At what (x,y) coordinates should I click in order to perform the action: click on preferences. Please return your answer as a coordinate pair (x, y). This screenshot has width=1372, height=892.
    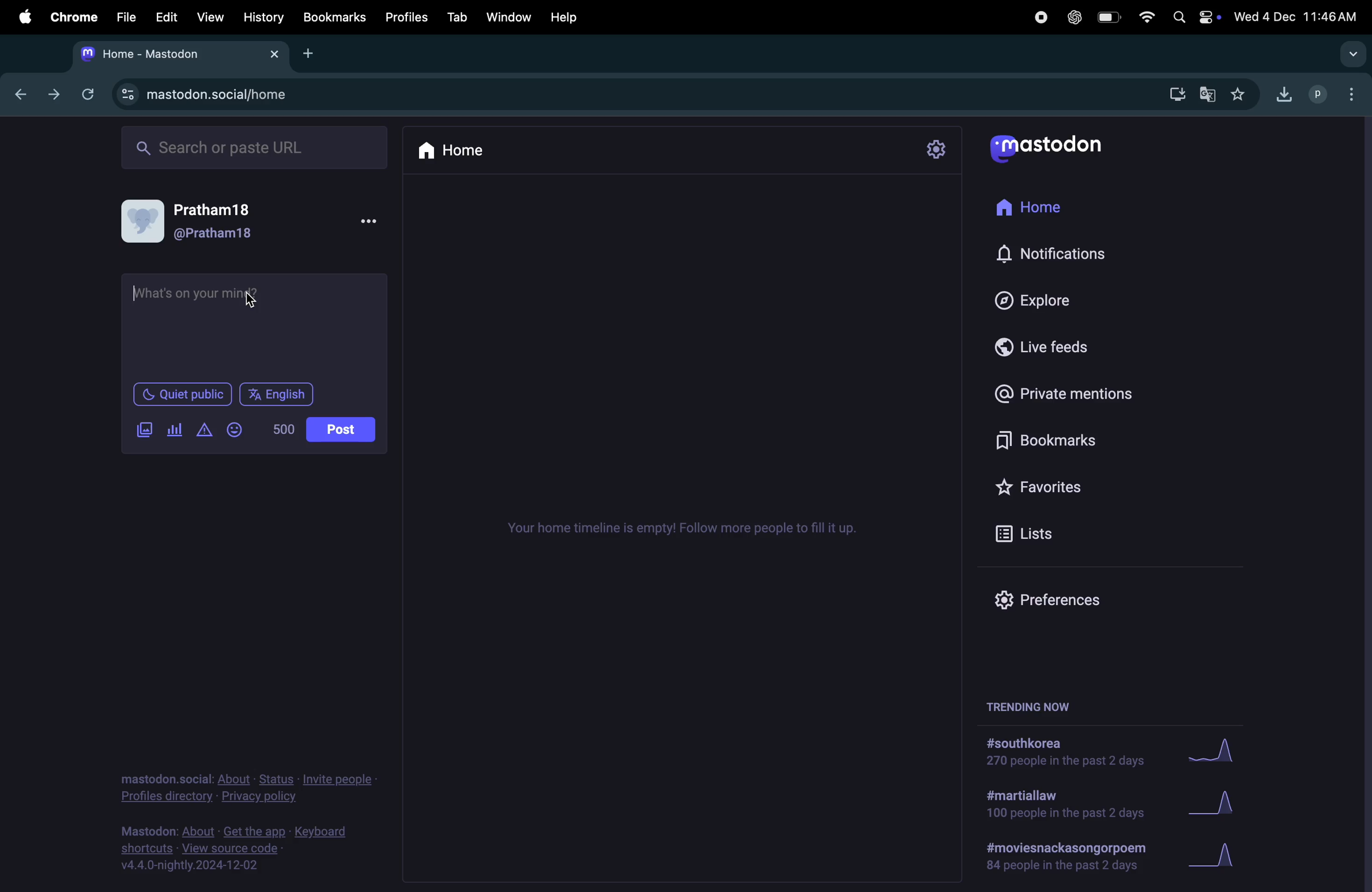
    Looking at the image, I should click on (1046, 602).